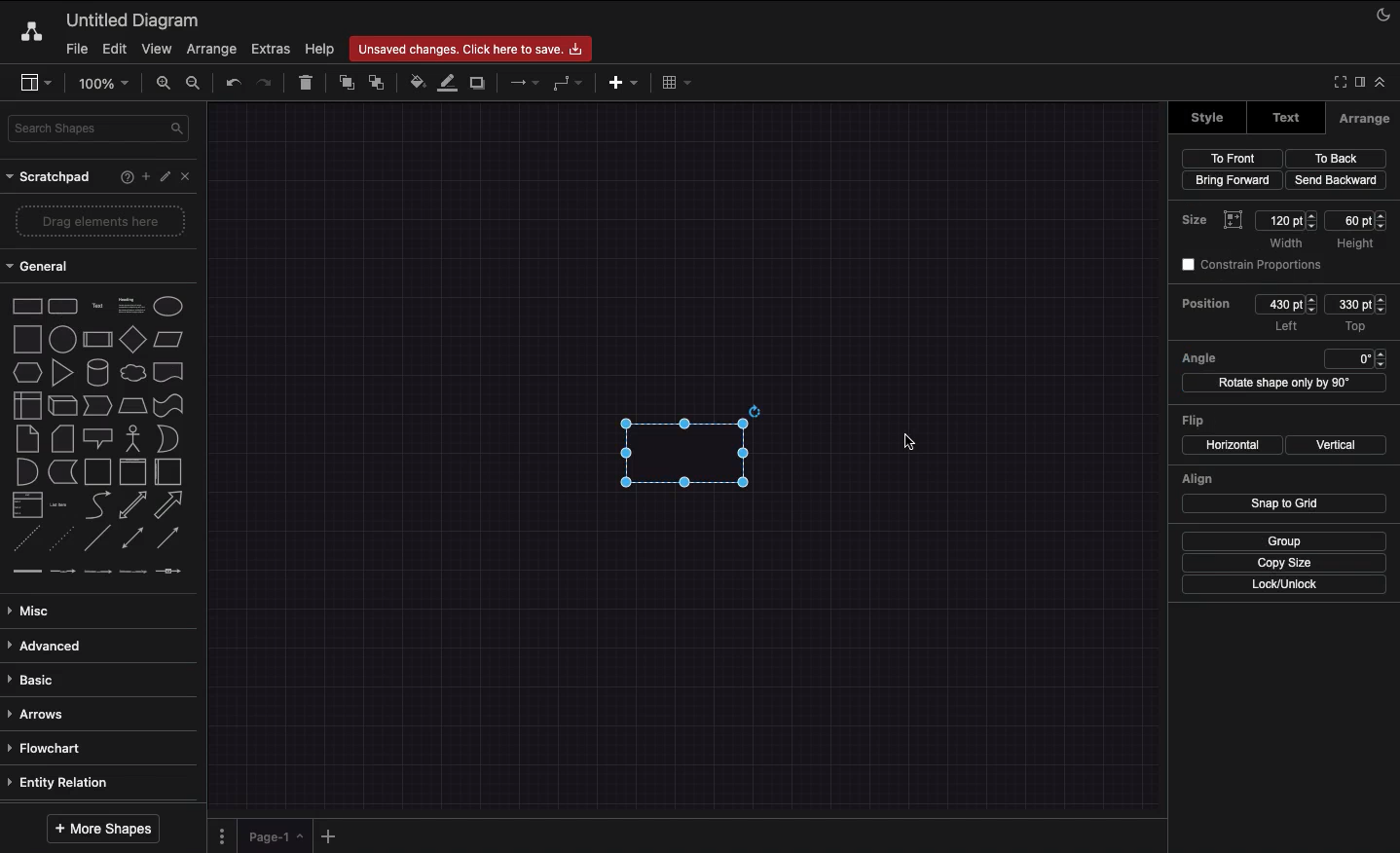 The width and height of the screenshot is (1400, 853). I want to click on To front, so click(1230, 158).